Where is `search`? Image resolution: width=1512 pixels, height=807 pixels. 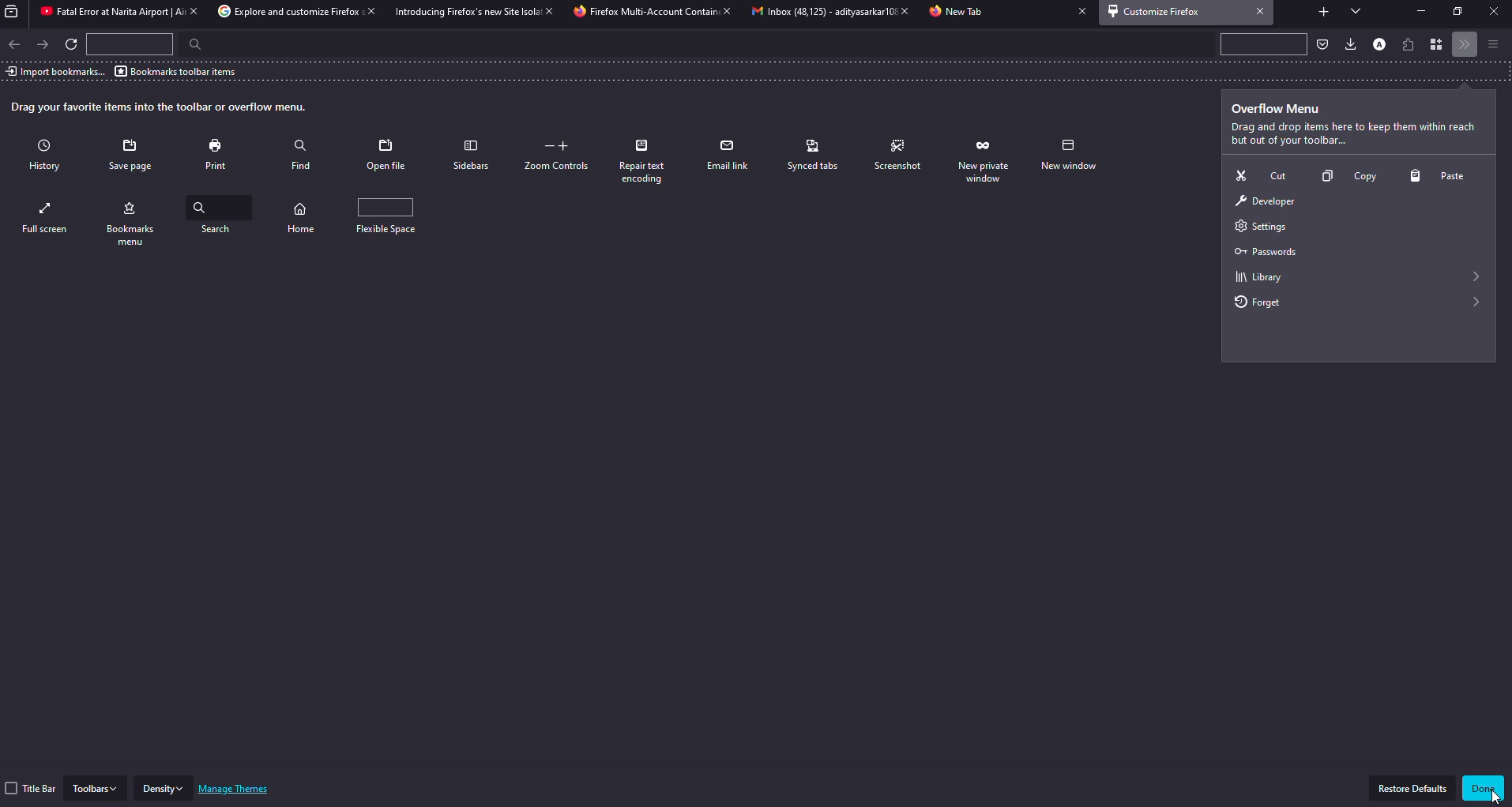 search is located at coordinates (190, 44).